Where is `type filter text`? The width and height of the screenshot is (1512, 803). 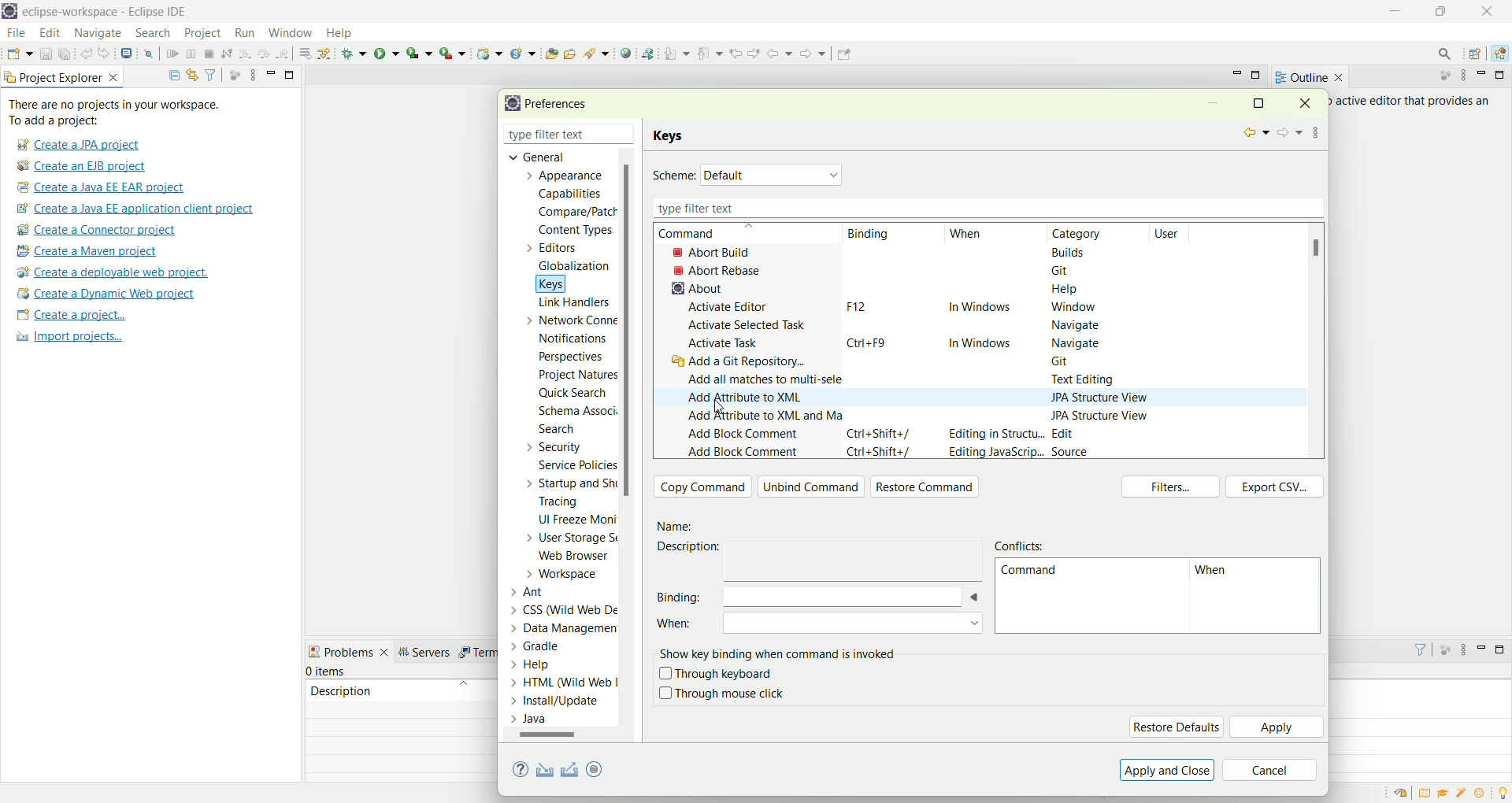
type filter text is located at coordinates (984, 208).